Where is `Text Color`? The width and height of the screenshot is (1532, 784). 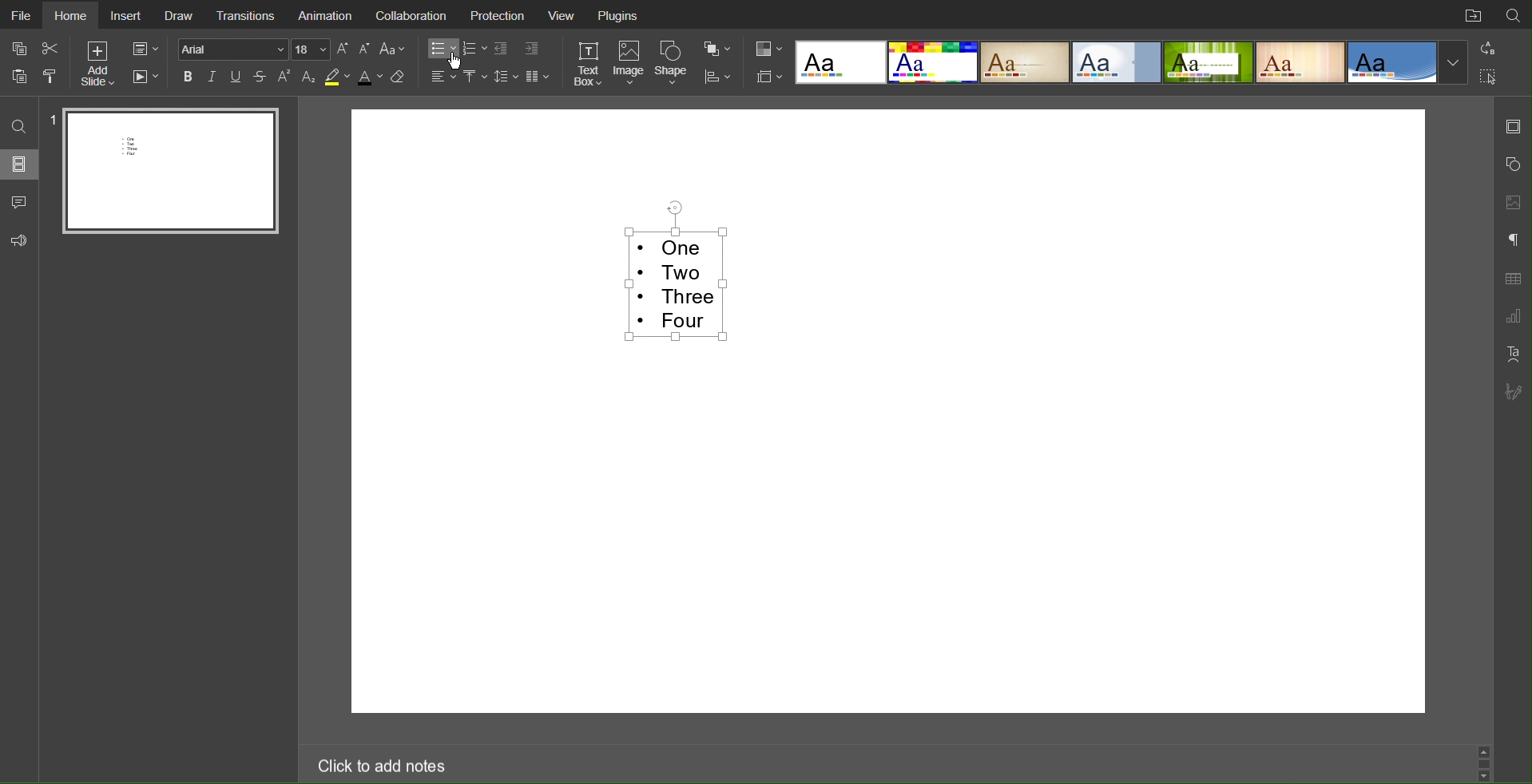 Text Color is located at coordinates (371, 77).